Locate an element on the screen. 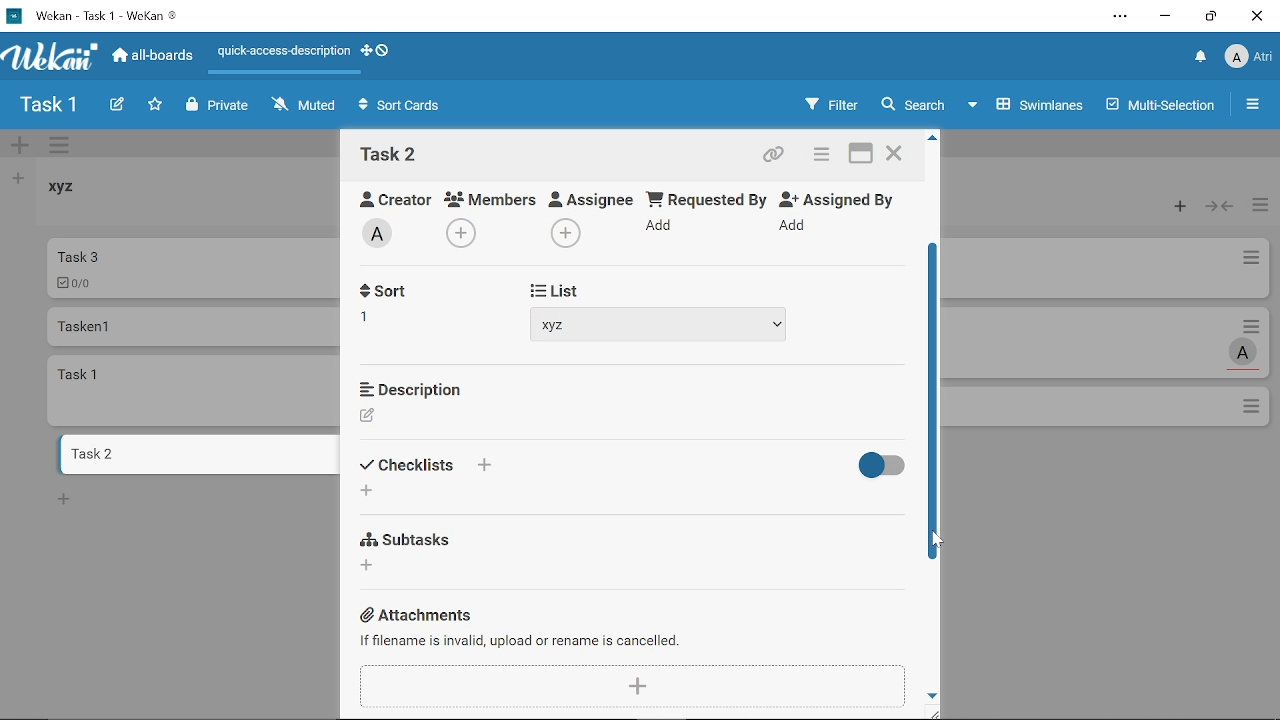 Image resolution: width=1280 pixels, height=720 pixels. List is located at coordinates (557, 468).